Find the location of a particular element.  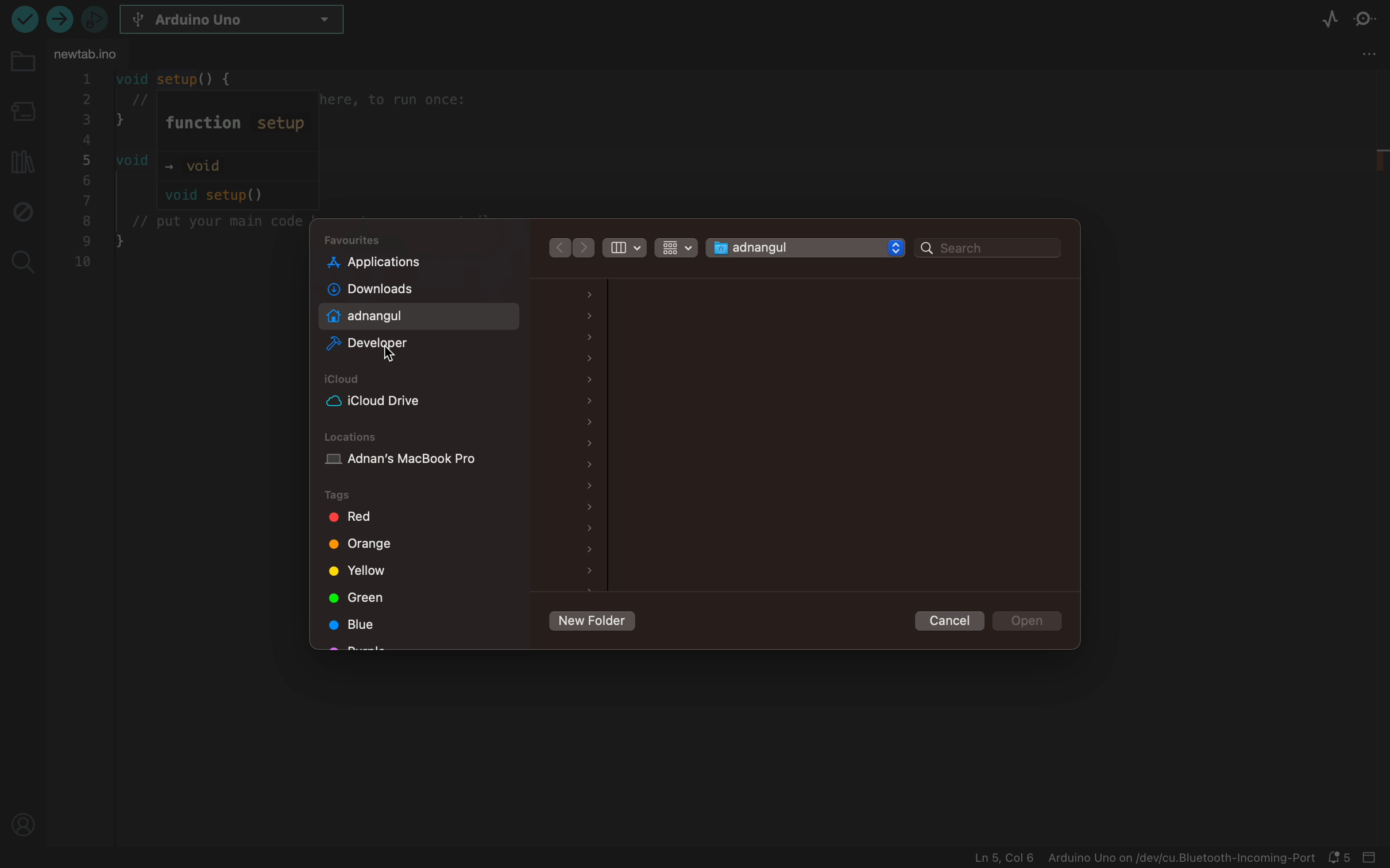

 is located at coordinates (585, 249).